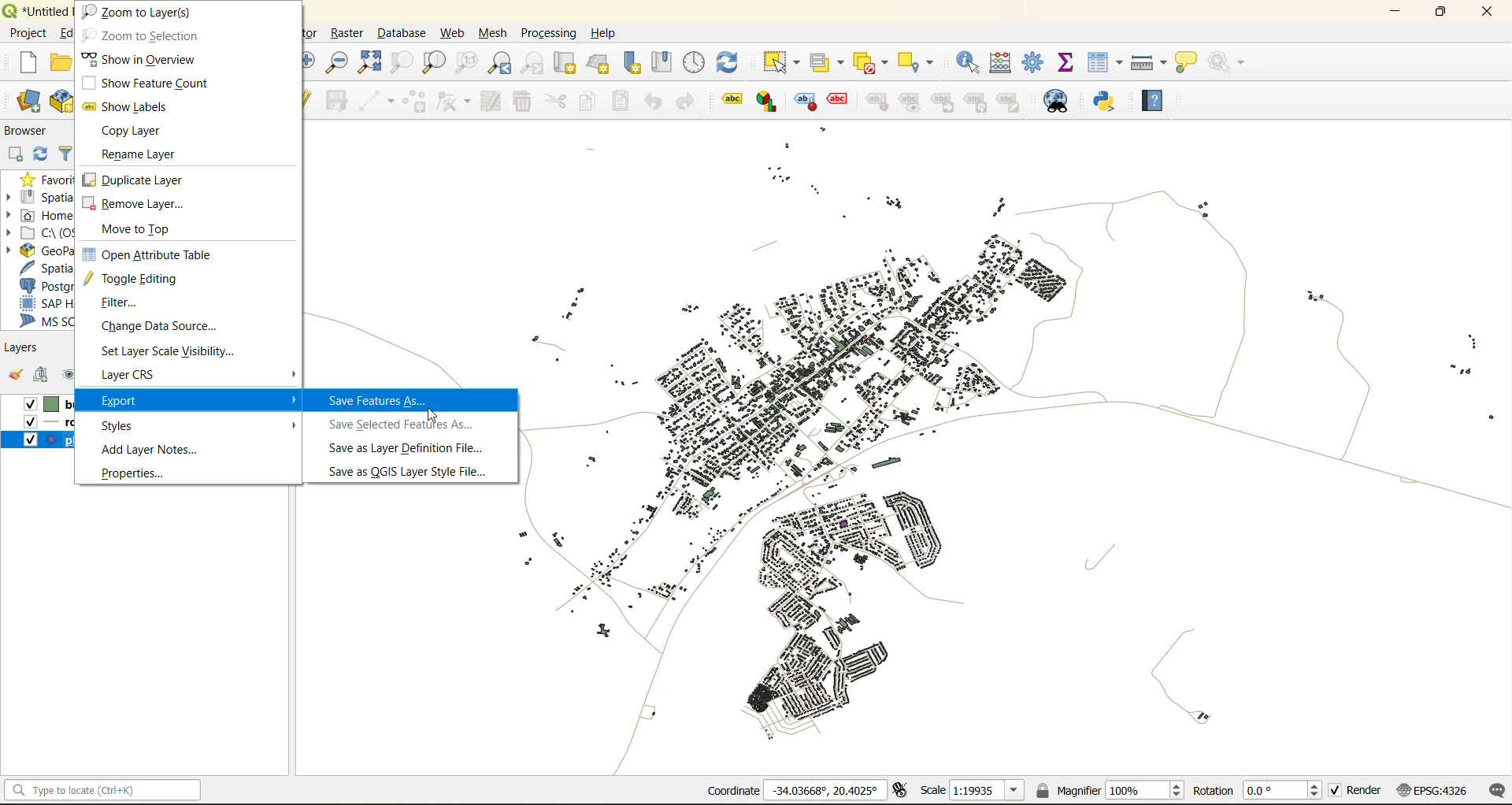  Describe the element at coordinates (434, 62) in the screenshot. I see `zoom layer` at that location.